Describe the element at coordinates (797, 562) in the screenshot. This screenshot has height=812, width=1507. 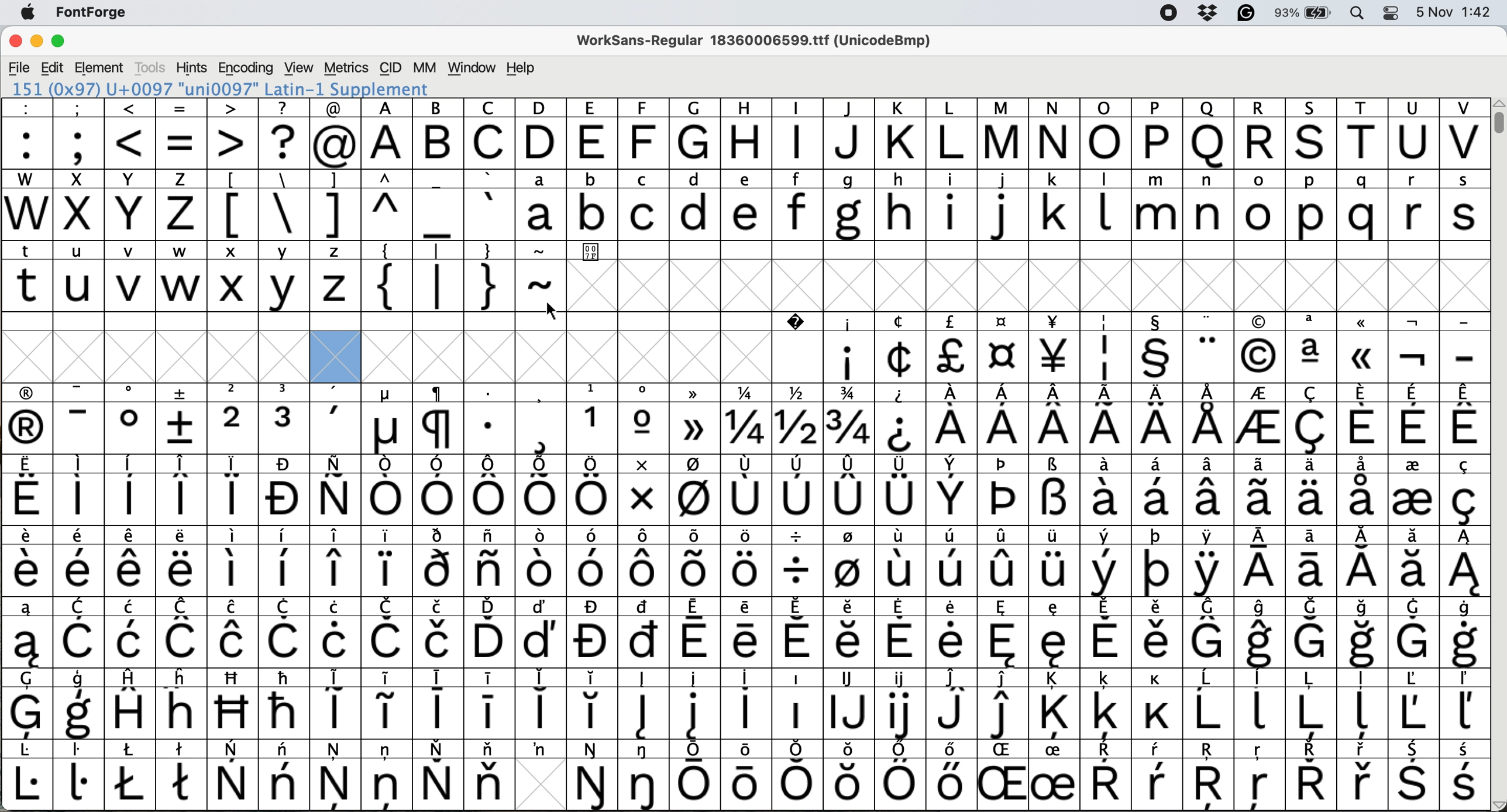
I see `symbol` at that location.